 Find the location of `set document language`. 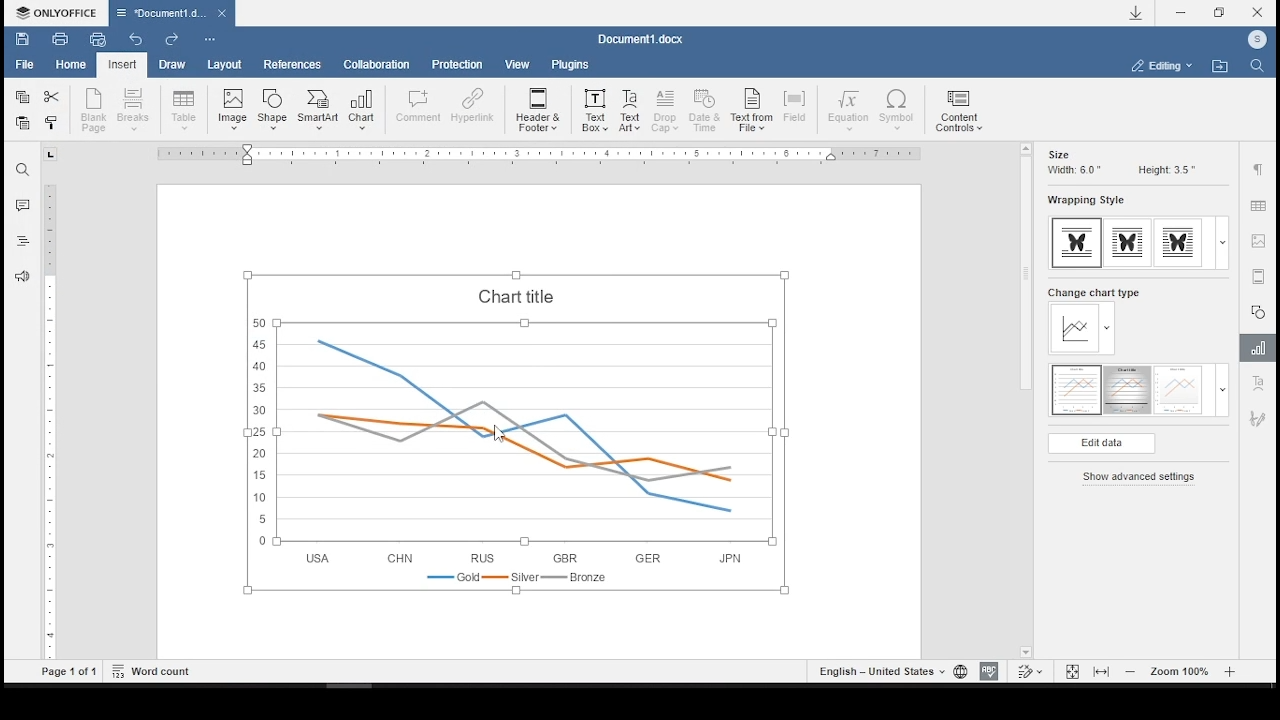

set document language is located at coordinates (959, 671).